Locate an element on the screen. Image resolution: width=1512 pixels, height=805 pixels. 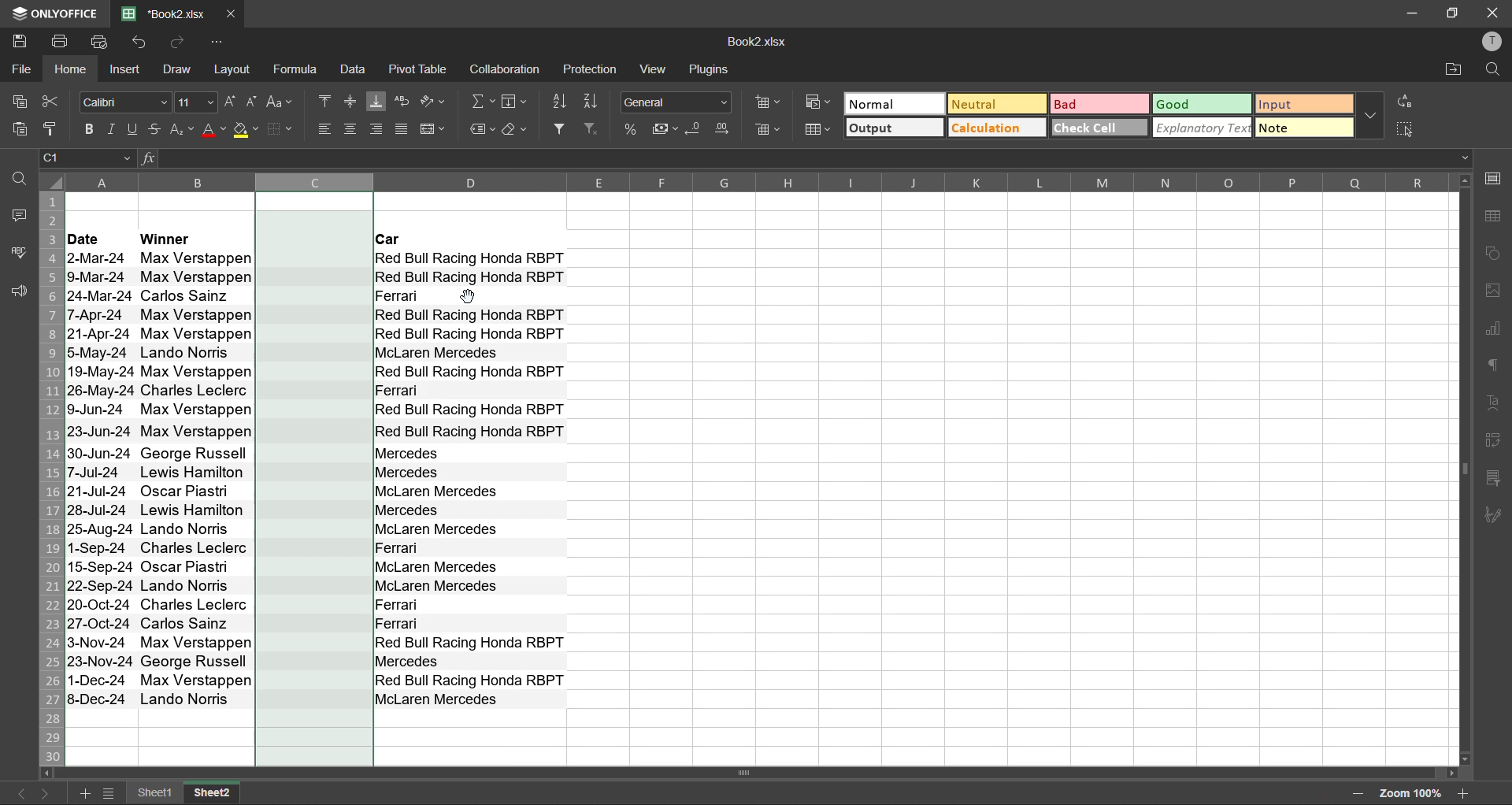
formula is located at coordinates (302, 70).